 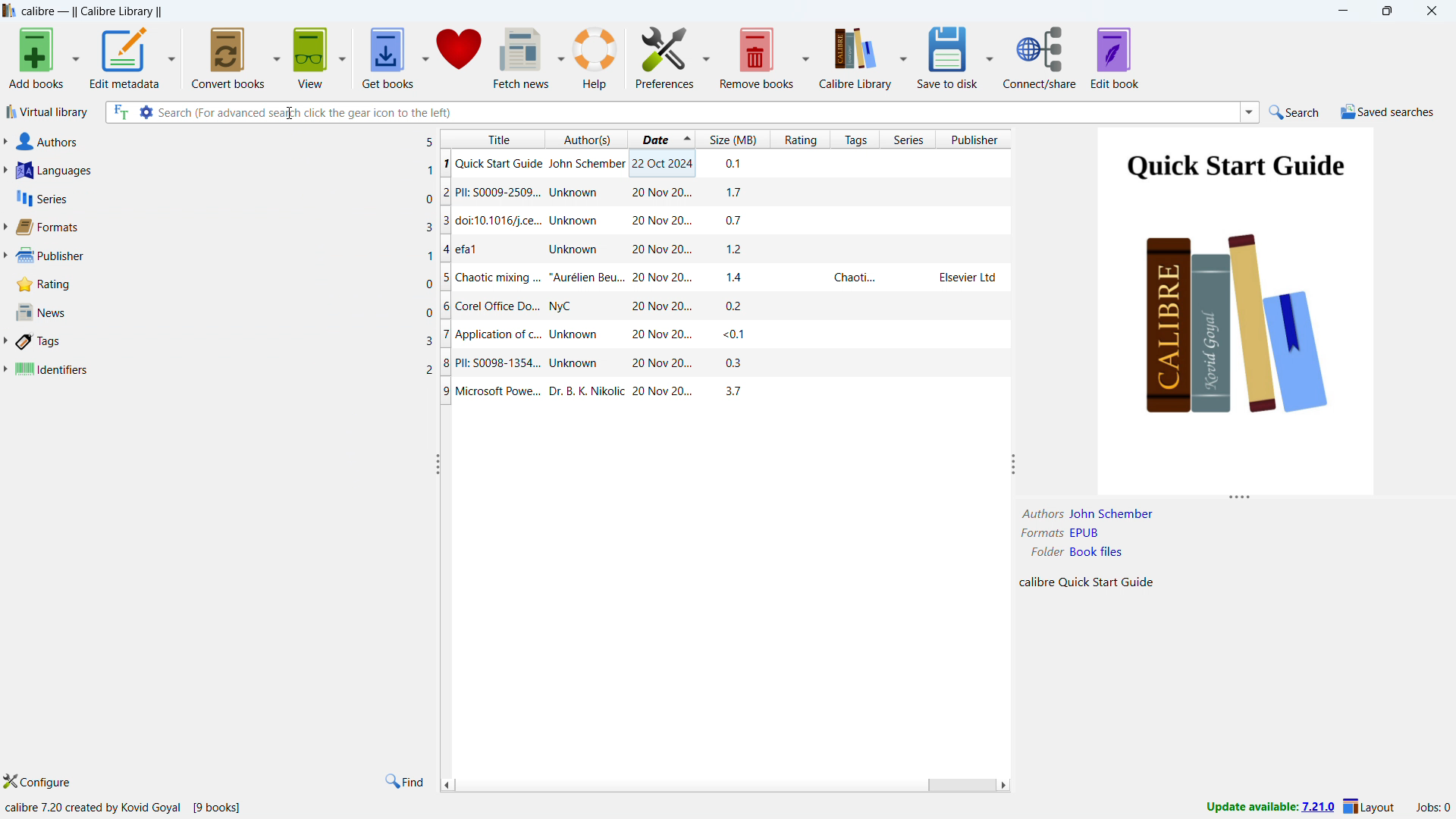 What do you see at coordinates (5, 256) in the screenshot?
I see `expand publisher` at bounding box center [5, 256].